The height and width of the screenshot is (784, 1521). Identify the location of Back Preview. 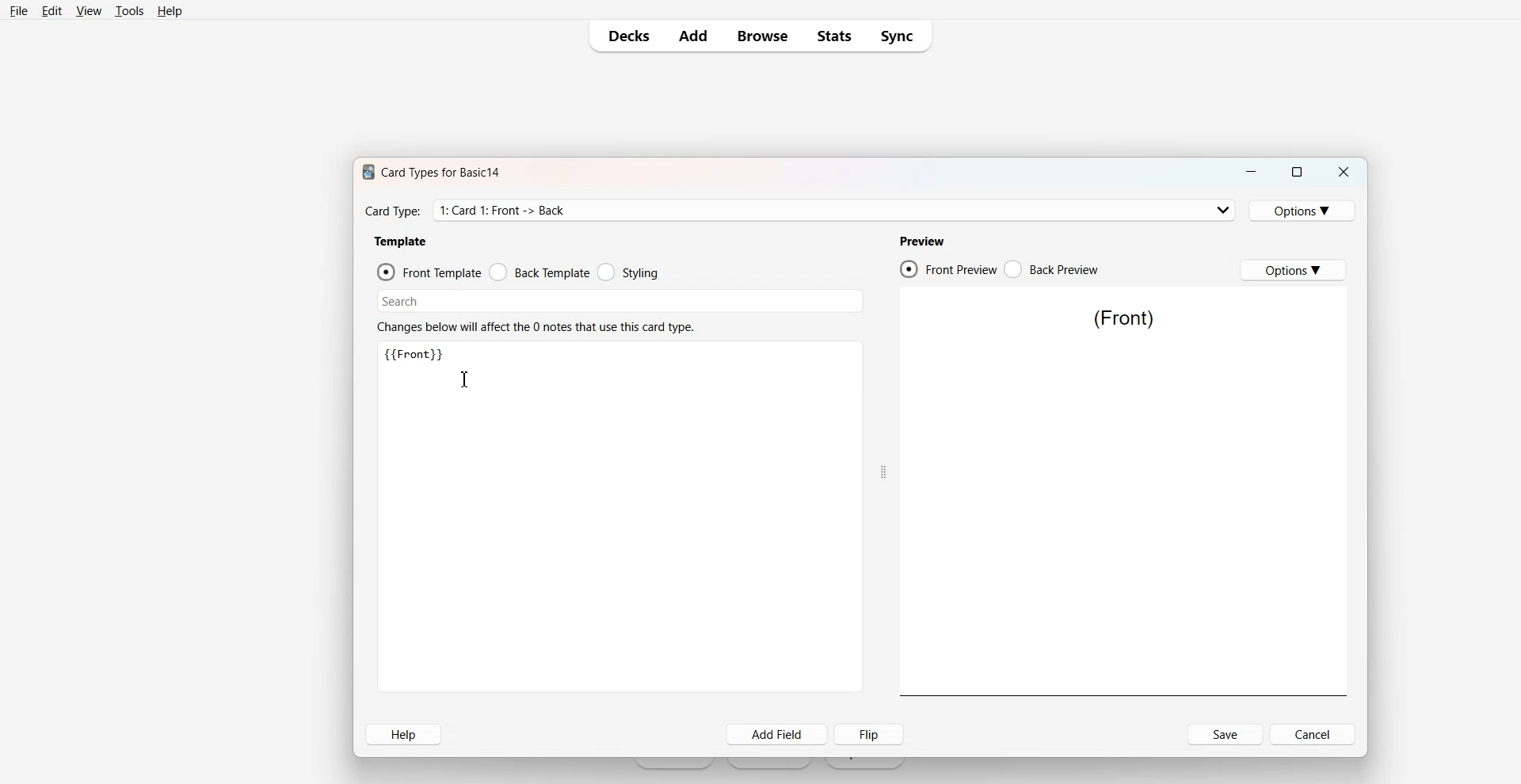
(1052, 268).